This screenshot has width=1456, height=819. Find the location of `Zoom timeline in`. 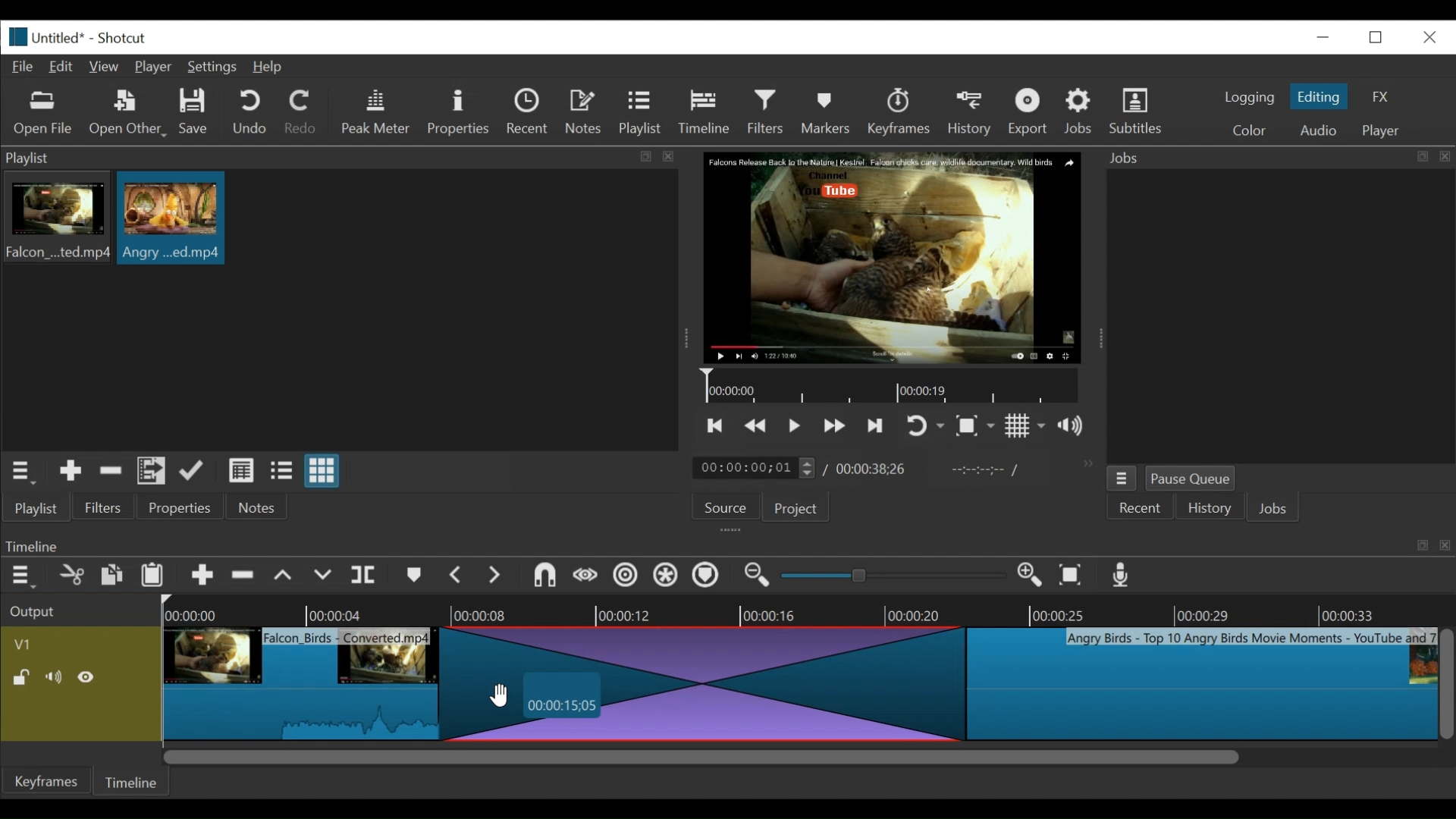

Zoom timeline in is located at coordinates (755, 577).